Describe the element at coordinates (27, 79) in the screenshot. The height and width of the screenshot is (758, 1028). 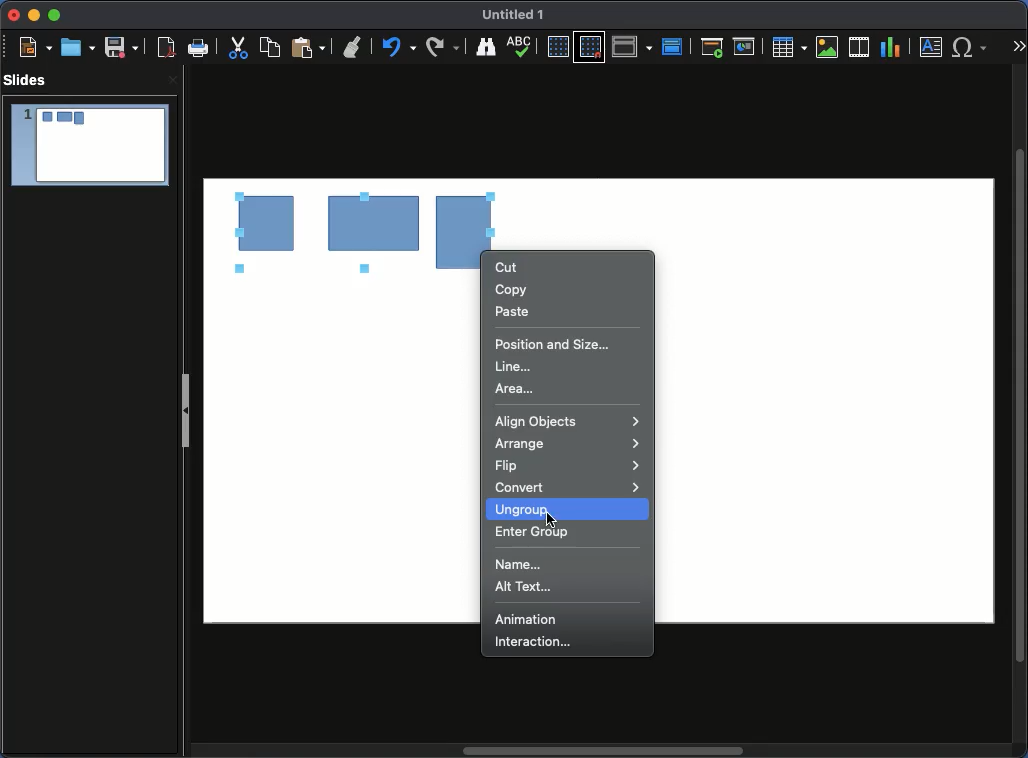
I see `Slides` at that location.